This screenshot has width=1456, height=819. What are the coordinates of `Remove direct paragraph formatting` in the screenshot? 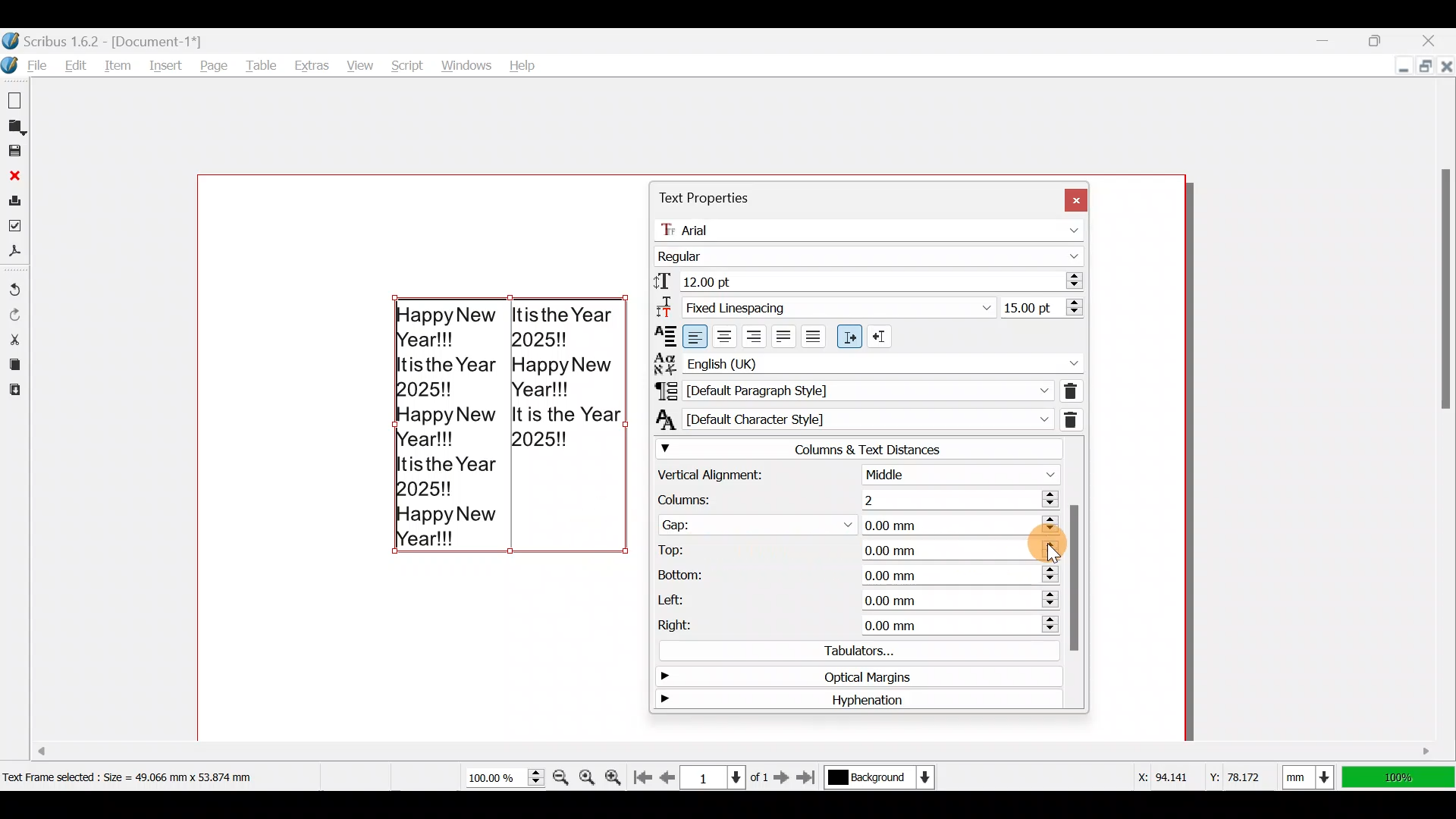 It's located at (1070, 389).